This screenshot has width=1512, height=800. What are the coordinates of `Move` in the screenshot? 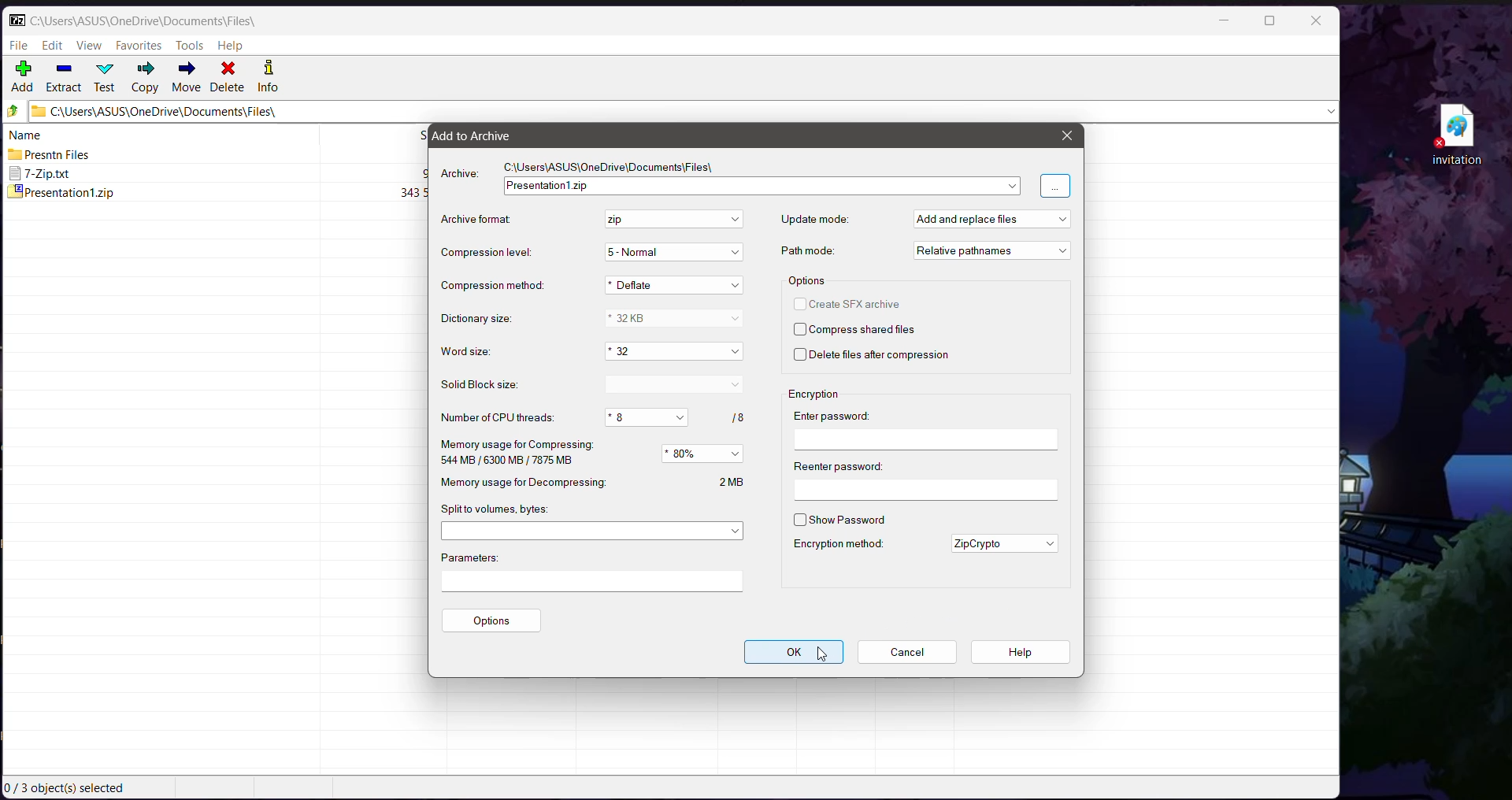 It's located at (185, 77).